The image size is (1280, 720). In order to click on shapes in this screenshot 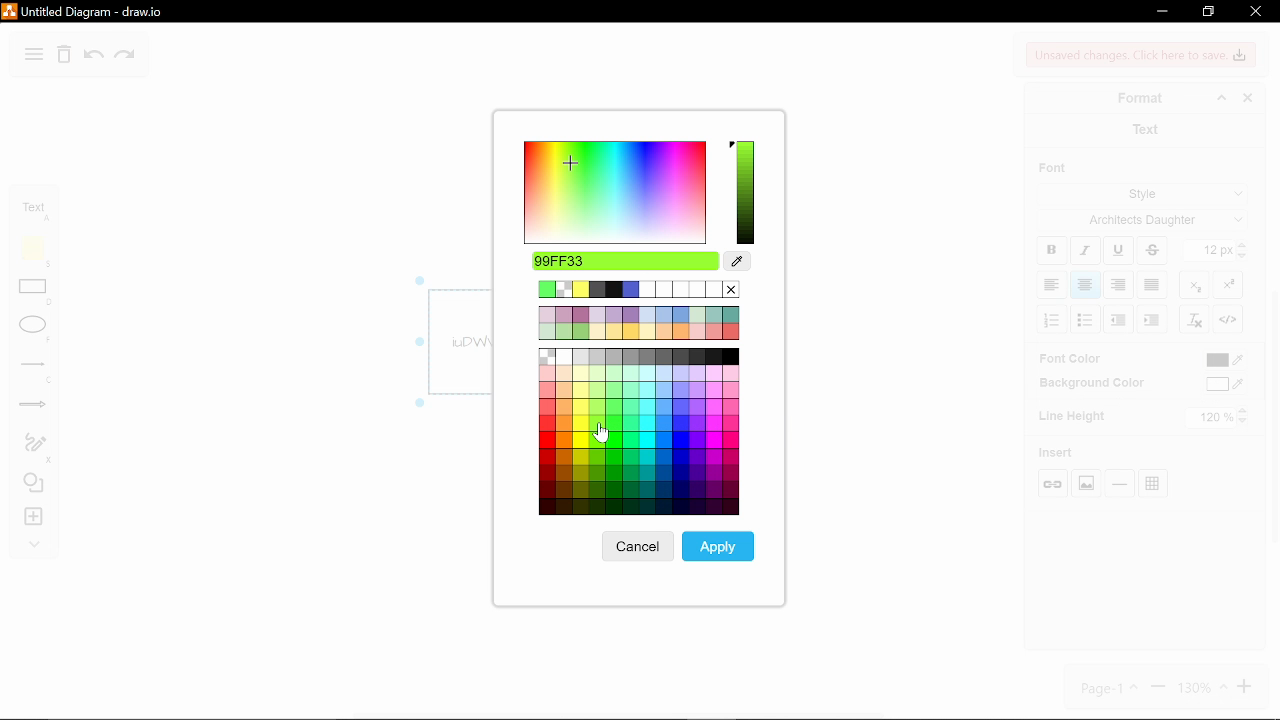, I will do `click(31, 485)`.